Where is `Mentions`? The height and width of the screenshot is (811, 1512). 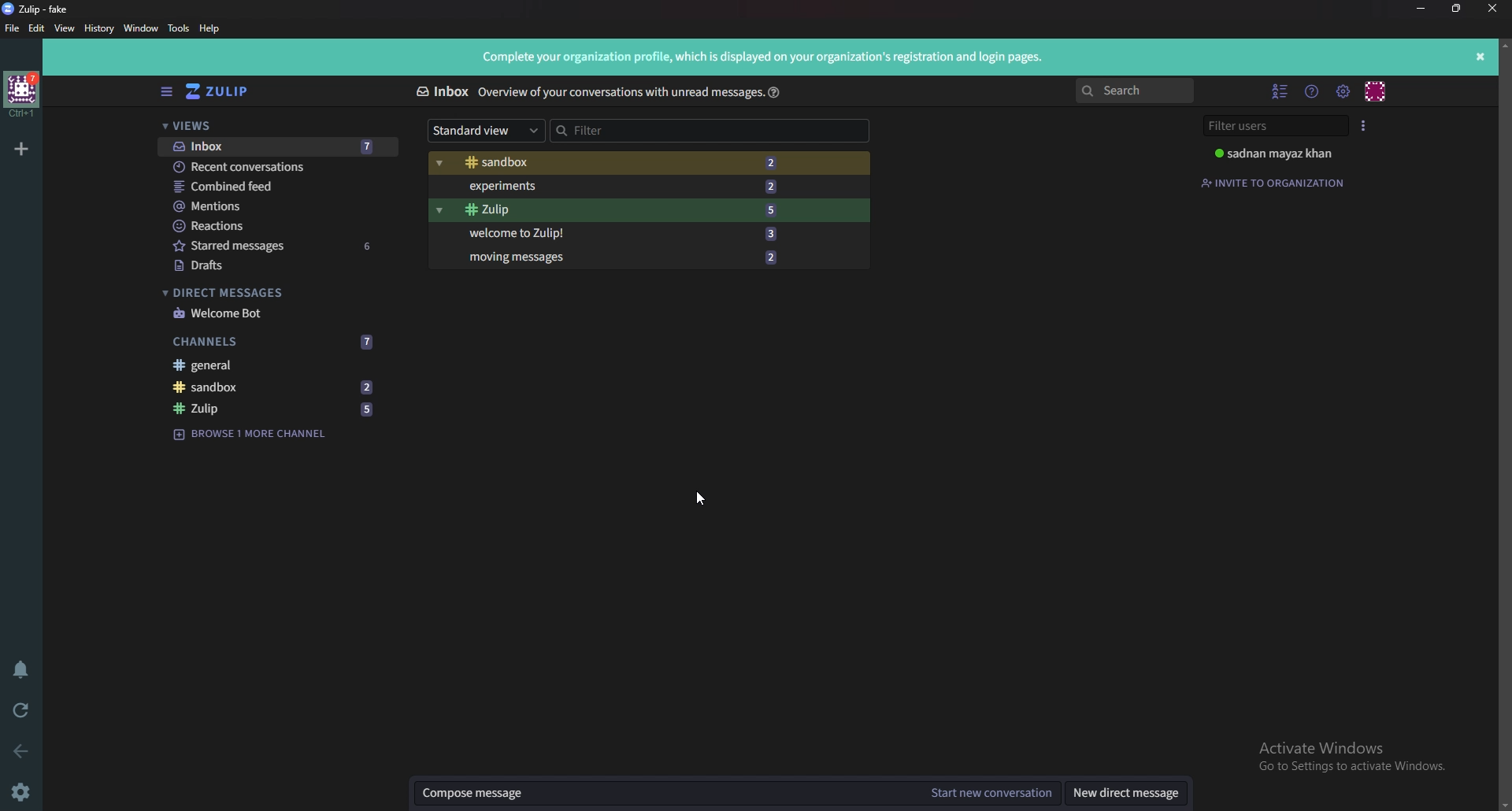
Mentions is located at coordinates (276, 207).